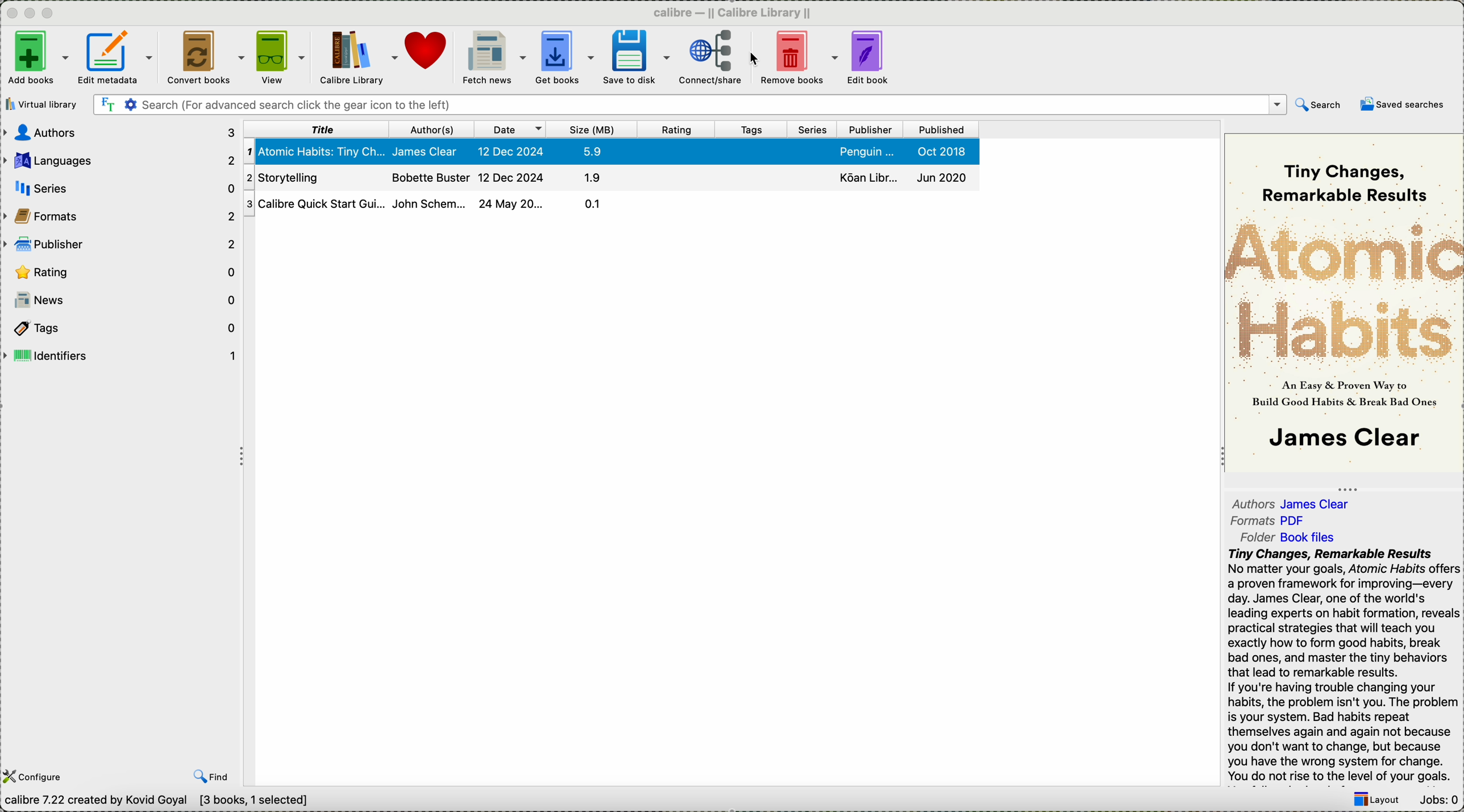 The height and width of the screenshot is (812, 1464). What do you see at coordinates (941, 130) in the screenshot?
I see `published` at bounding box center [941, 130].